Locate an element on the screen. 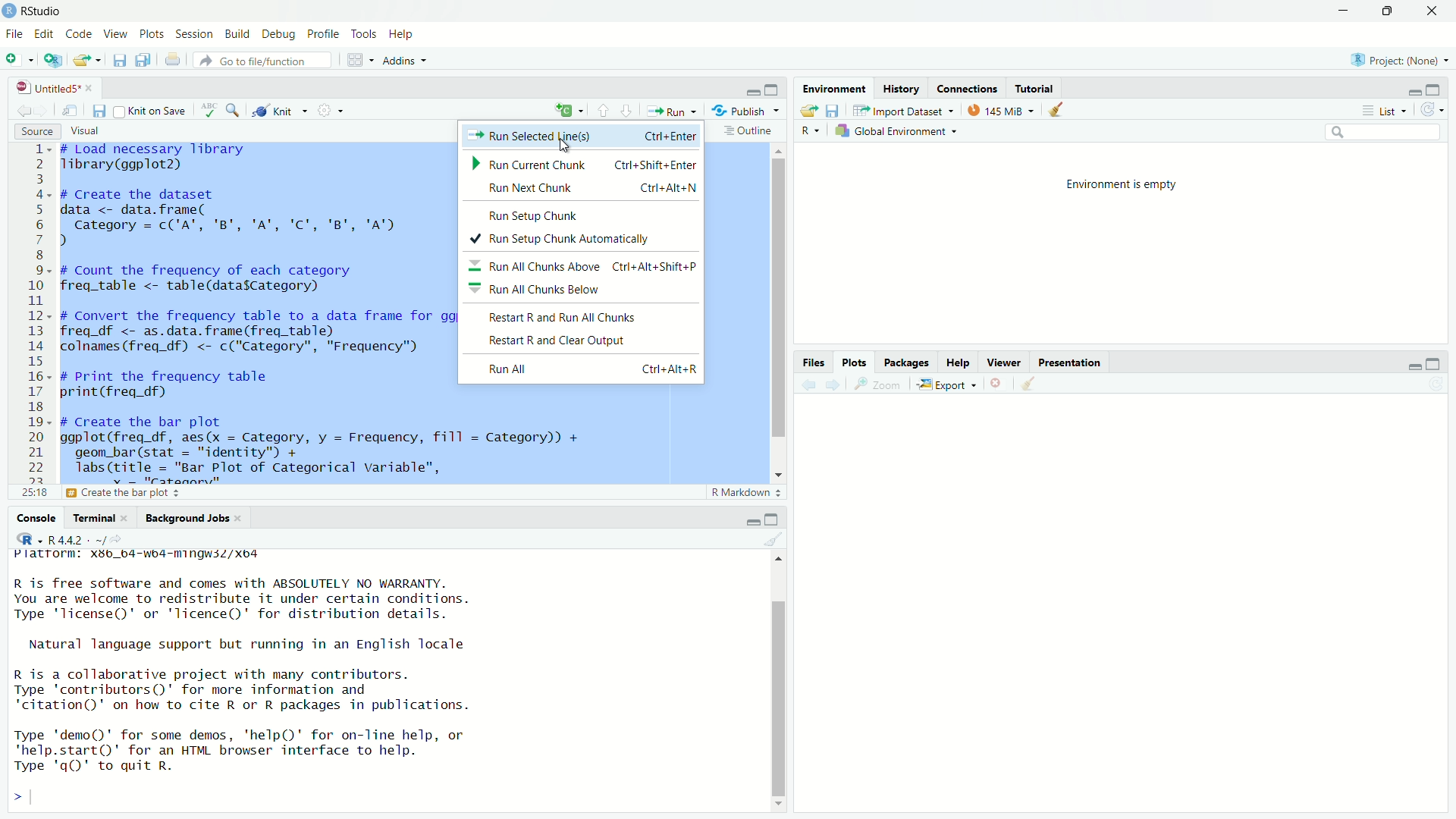 This screenshot has height=819, width=1456. open file is located at coordinates (87, 60).